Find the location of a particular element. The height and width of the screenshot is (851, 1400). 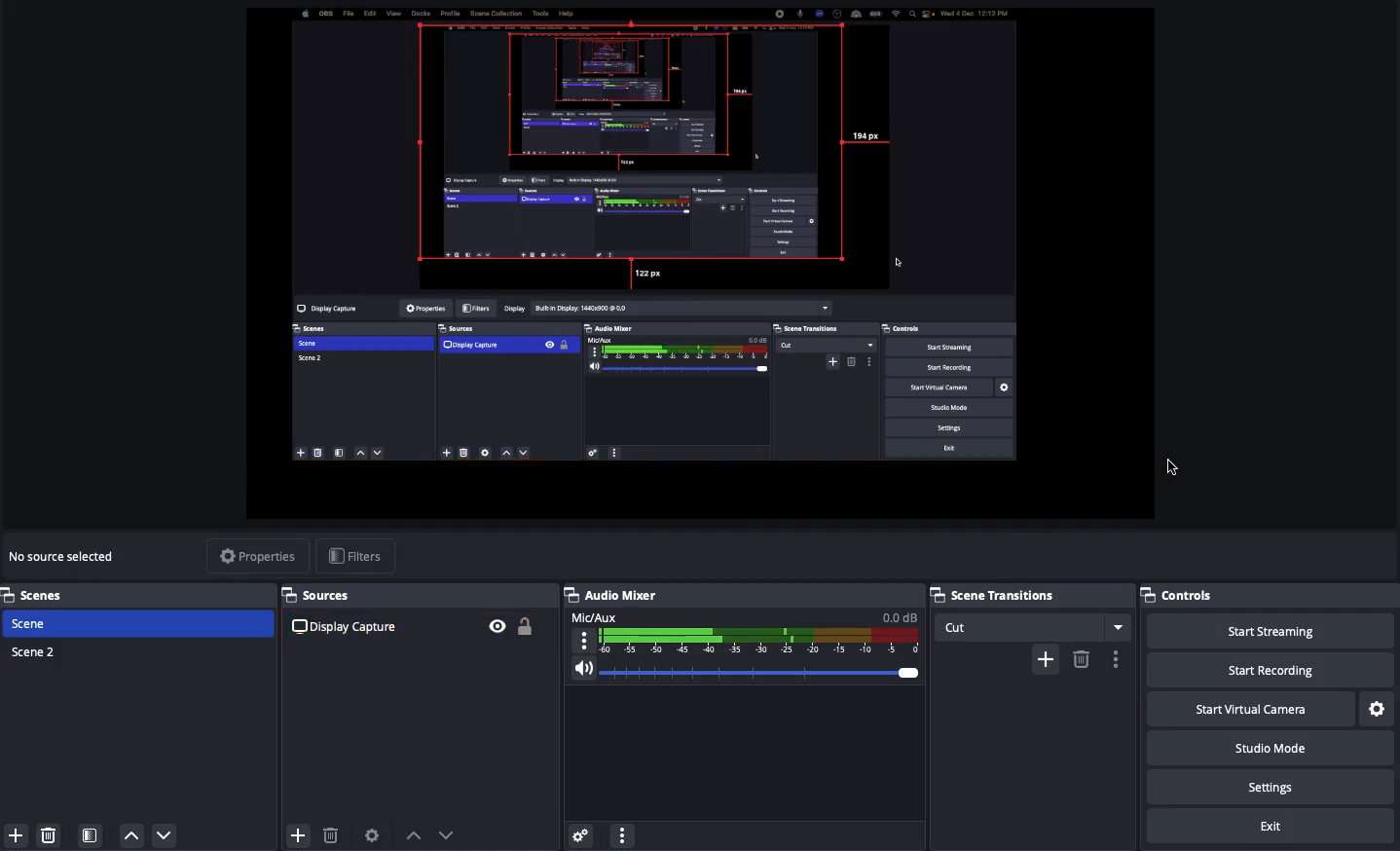

Delete is located at coordinates (1081, 659).